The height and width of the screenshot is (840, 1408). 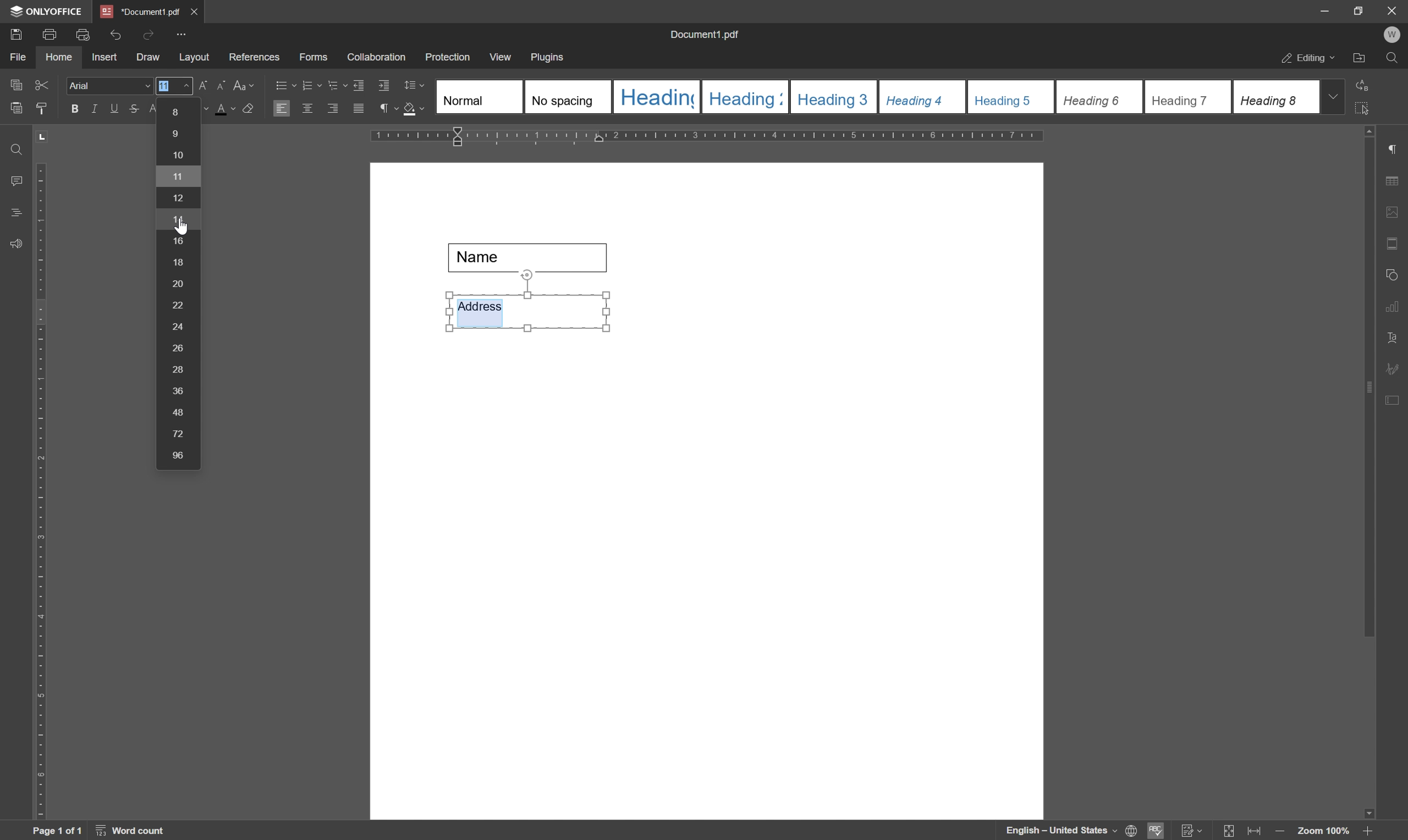 What do you see at coordinates (179, 282) in the screenshot?
I see `font size` at bounding box center [179, 282].